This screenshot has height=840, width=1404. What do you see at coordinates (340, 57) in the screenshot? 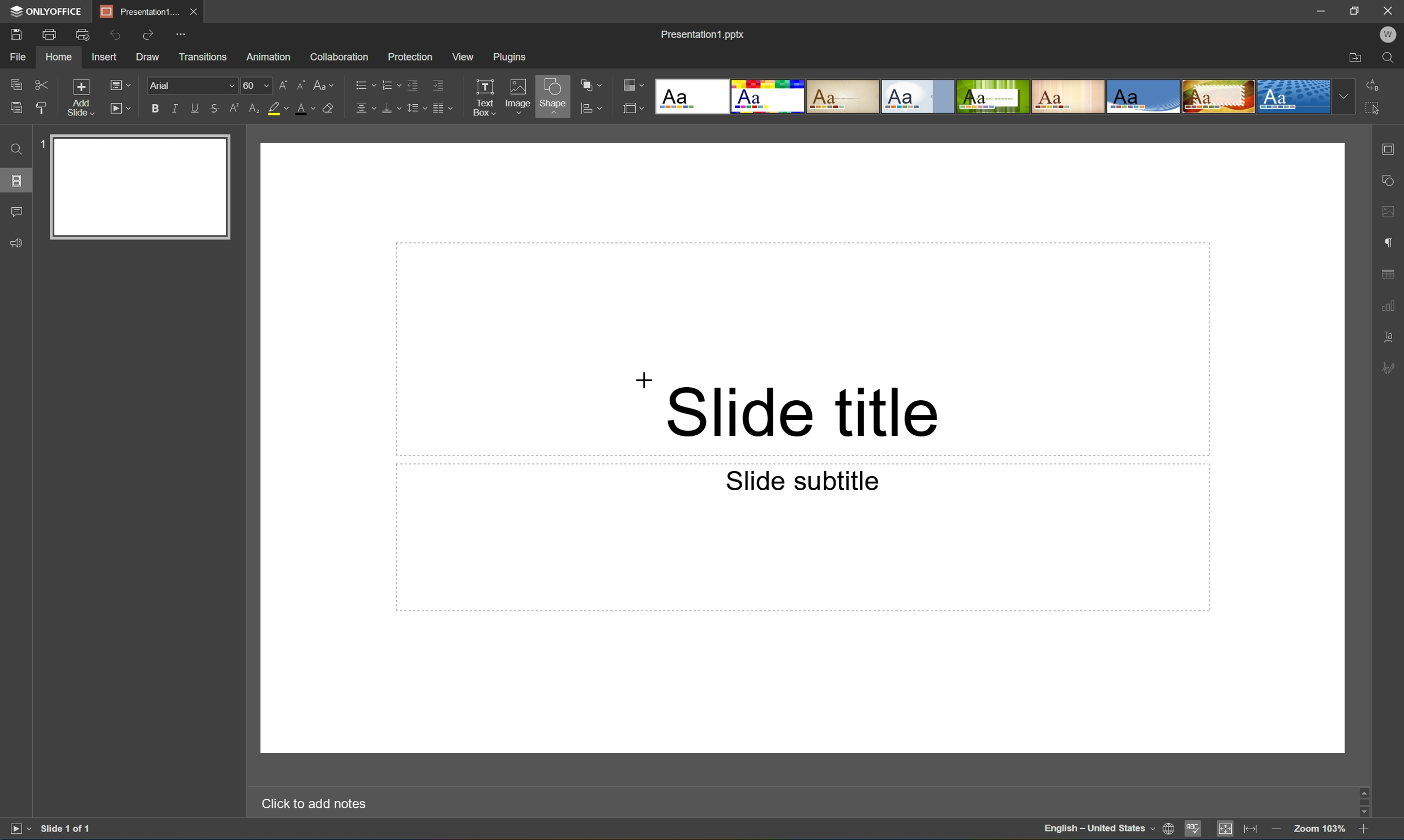
I see `Collaboration` at bounding box center [340, 57].